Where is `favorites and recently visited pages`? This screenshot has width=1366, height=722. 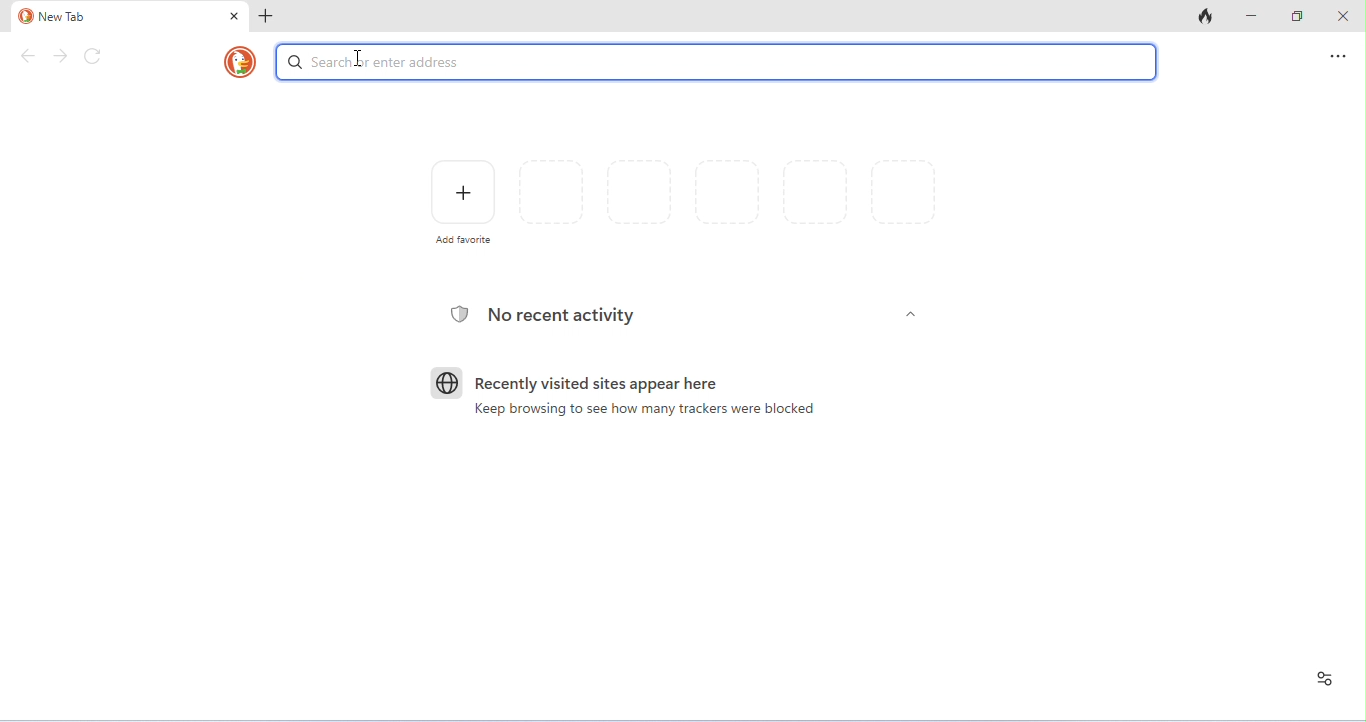
favorites and recently visited pages is located at coordinates (731, 190).